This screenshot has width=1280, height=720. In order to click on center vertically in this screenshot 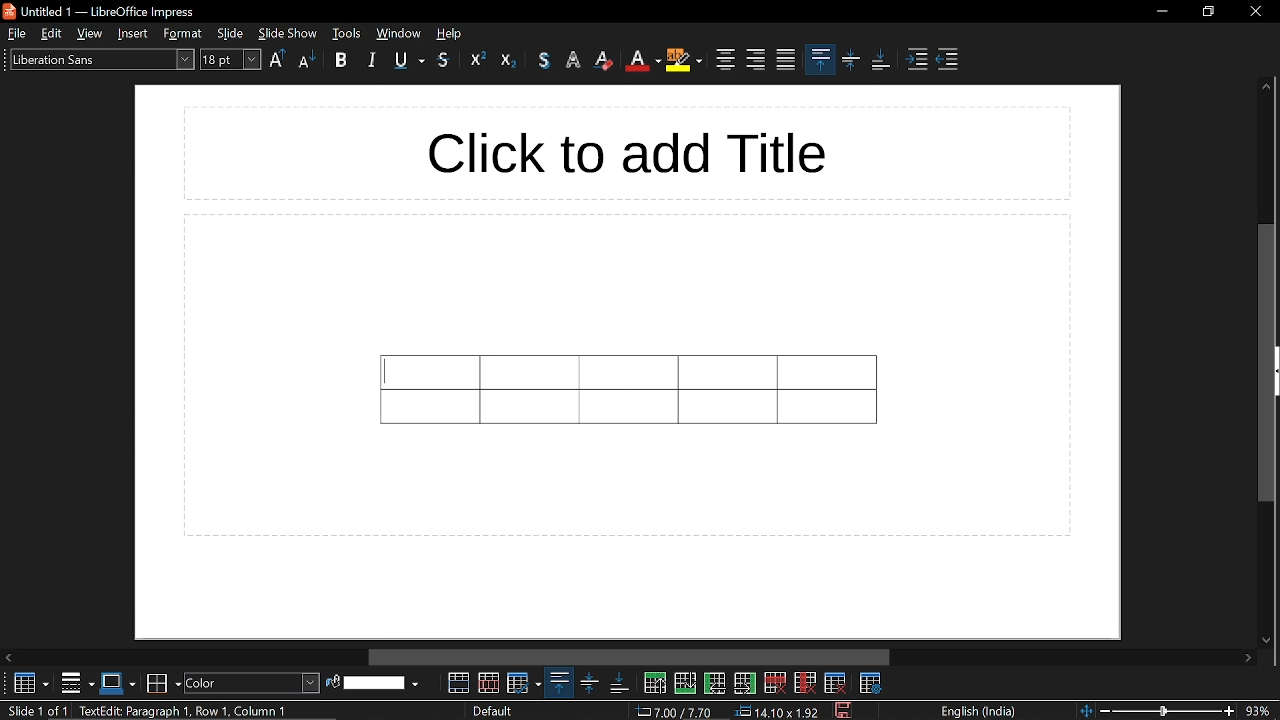, I will do `click(853, 62)`.